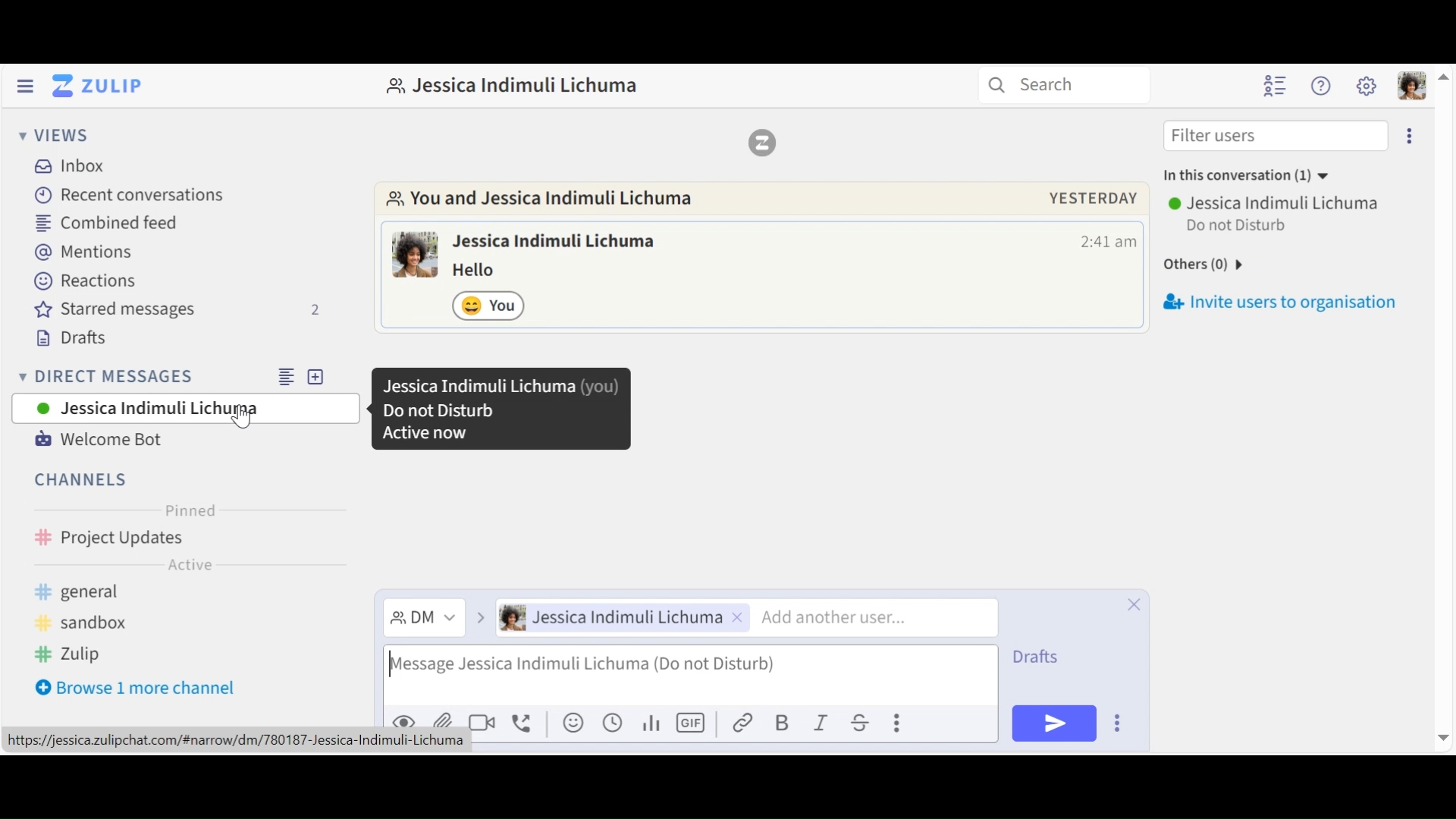 Image resolution: width=1456 pixels, height=819 pixels. Describe the element at coordinates (190, 510) in the screenshot. I see `Pinned` at that location.